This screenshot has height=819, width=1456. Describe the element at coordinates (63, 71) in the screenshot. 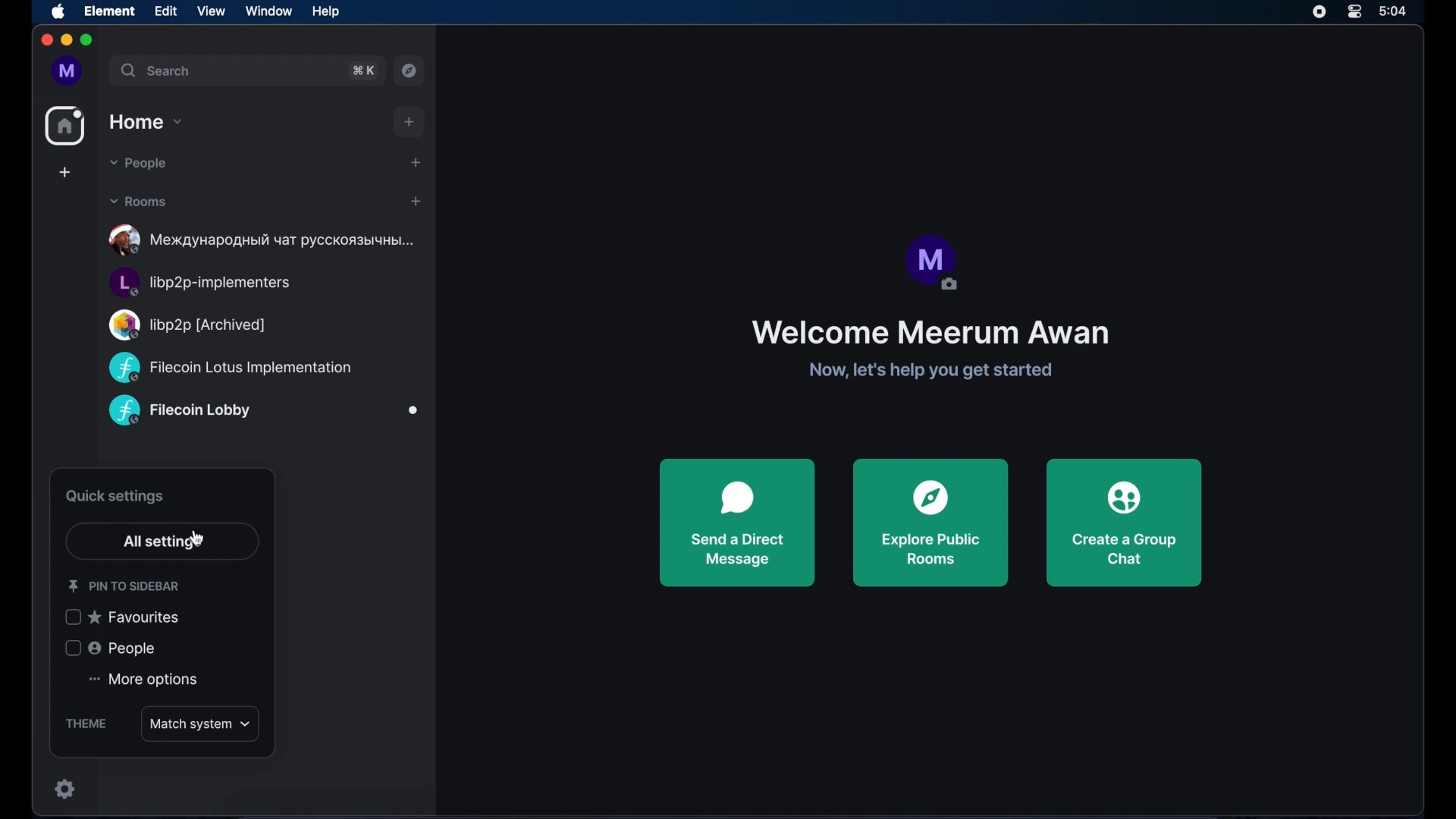

I see `profile` at that location.